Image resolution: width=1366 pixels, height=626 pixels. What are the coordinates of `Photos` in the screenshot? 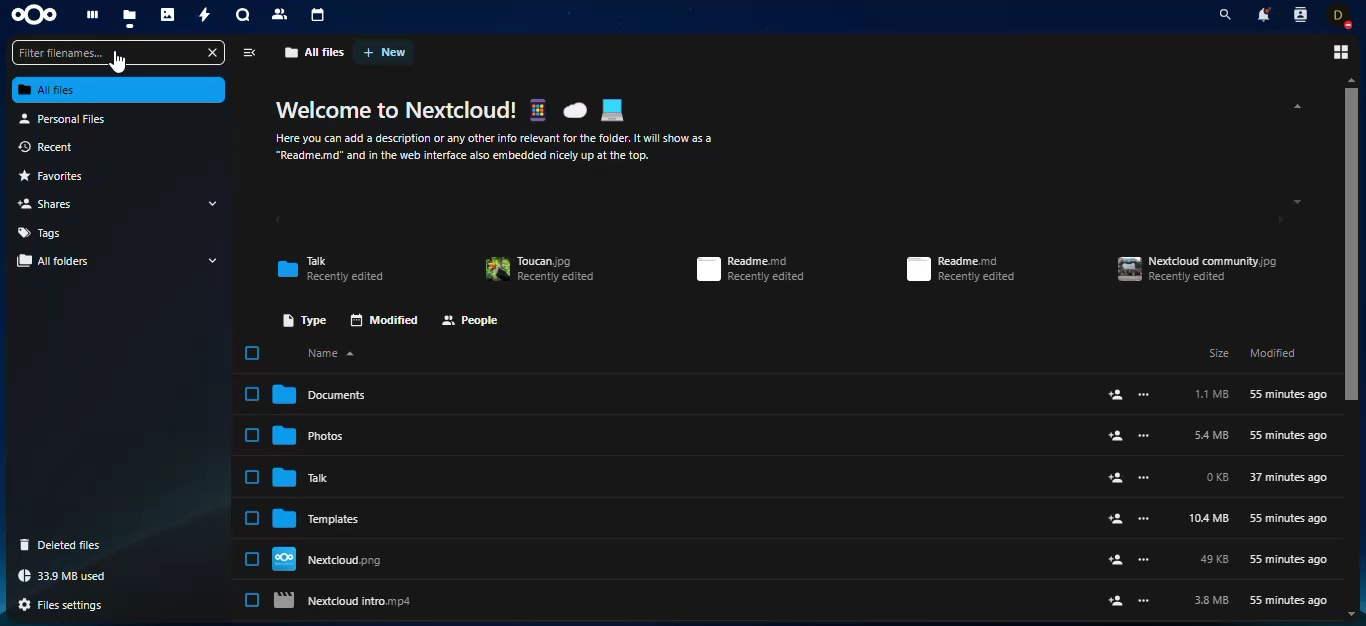 It's located at (685, 434).